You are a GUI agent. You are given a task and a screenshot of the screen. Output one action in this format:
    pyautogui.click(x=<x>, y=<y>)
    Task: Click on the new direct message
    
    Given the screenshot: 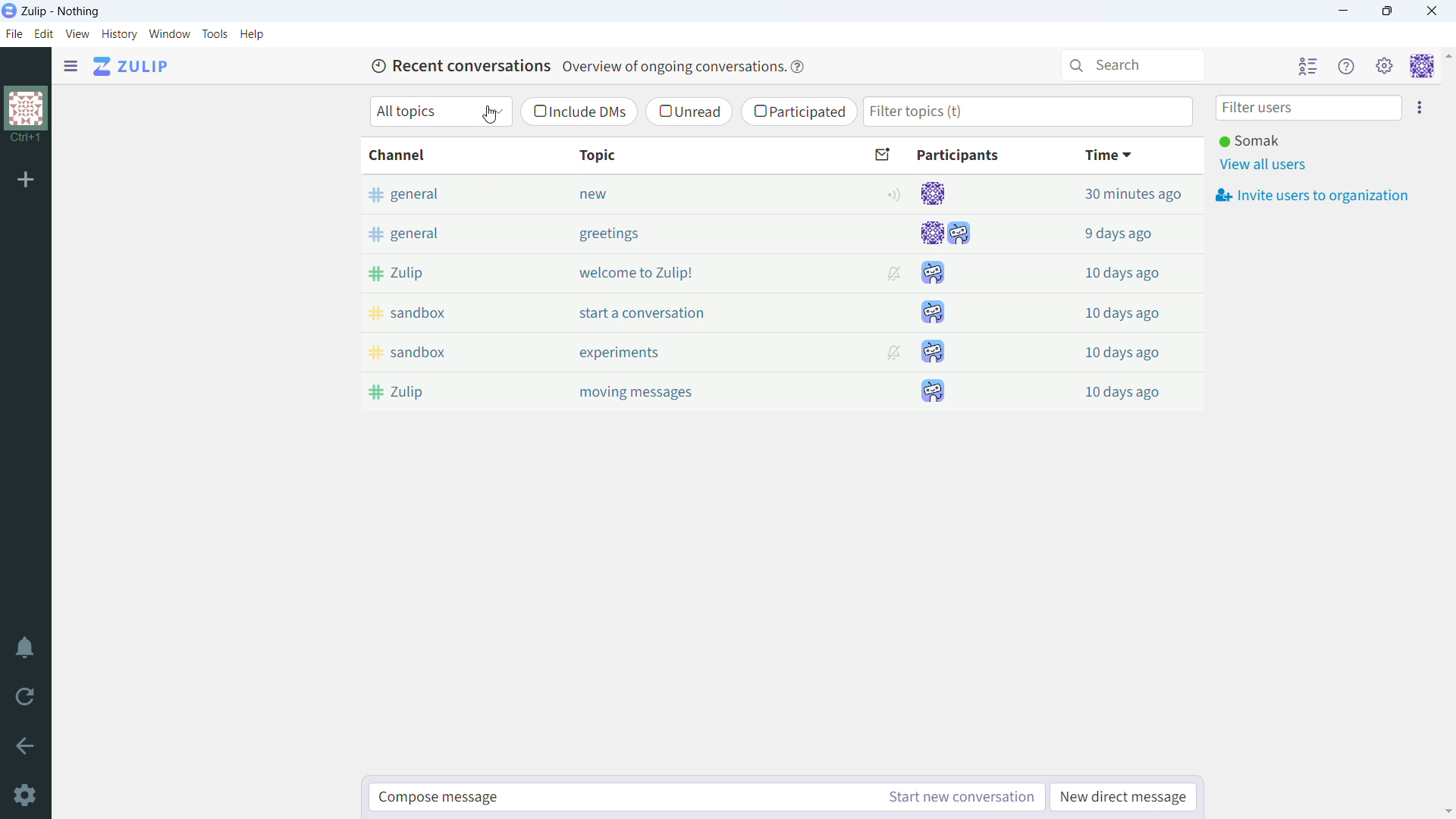 What is the action you would take?
    pyautogui.click(x=1122, y=797)
    